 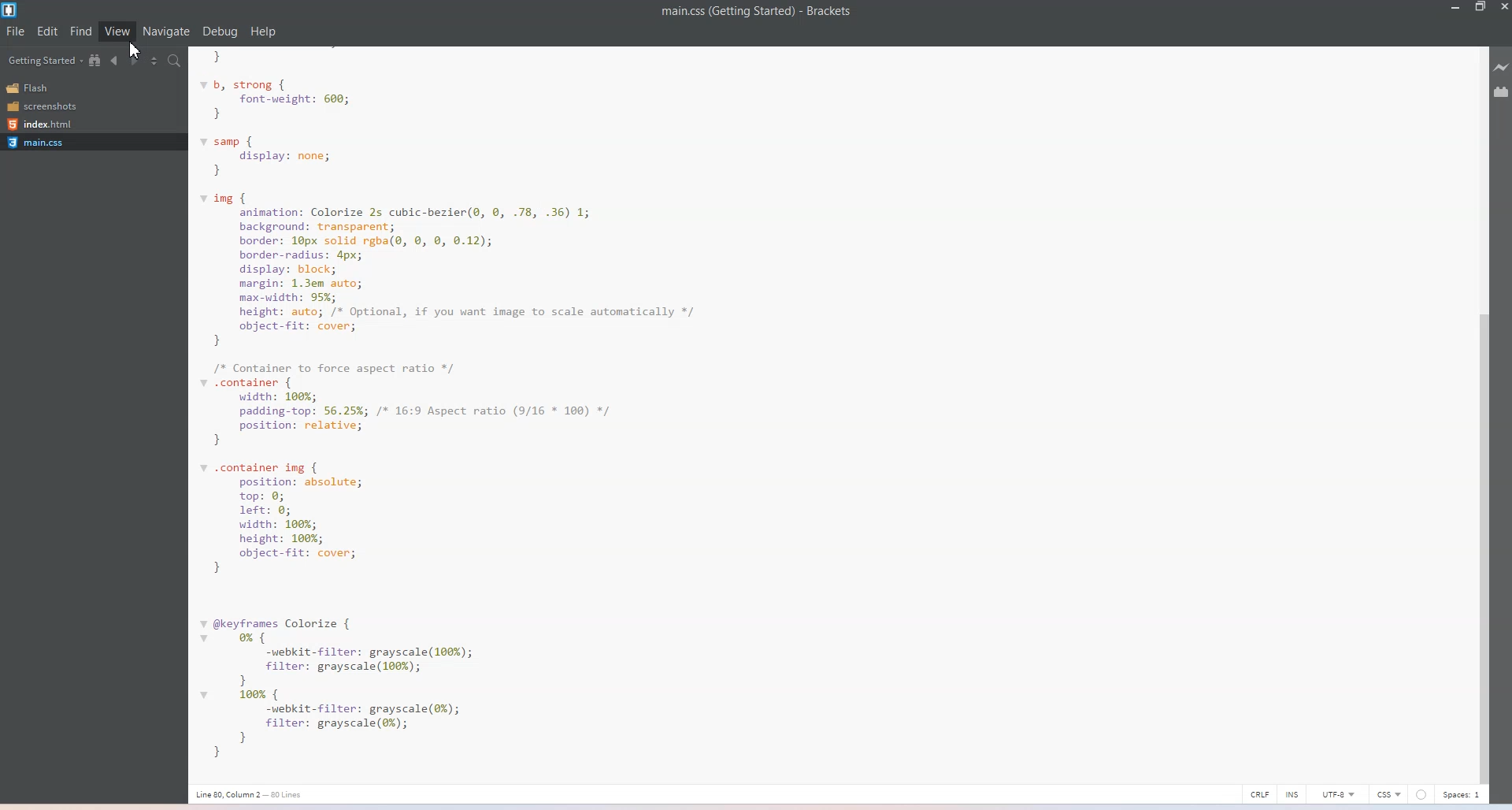 I want to click on Getting Started, so click(x=44, y=61).